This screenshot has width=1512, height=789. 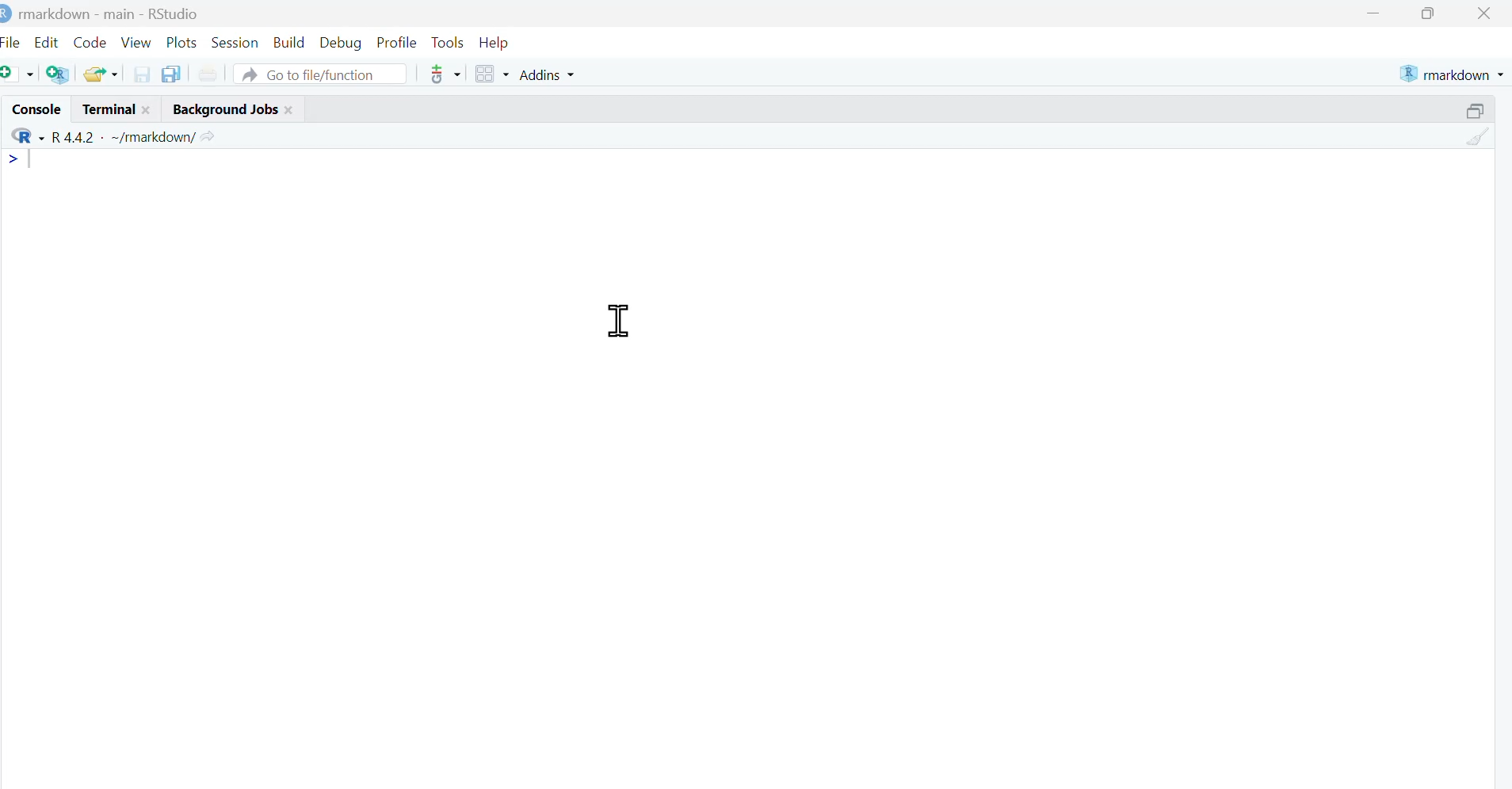 What do you see at coordinates (1454, 72) in the screenshot?
I see `markdown` at bounding box center [1454, 72].